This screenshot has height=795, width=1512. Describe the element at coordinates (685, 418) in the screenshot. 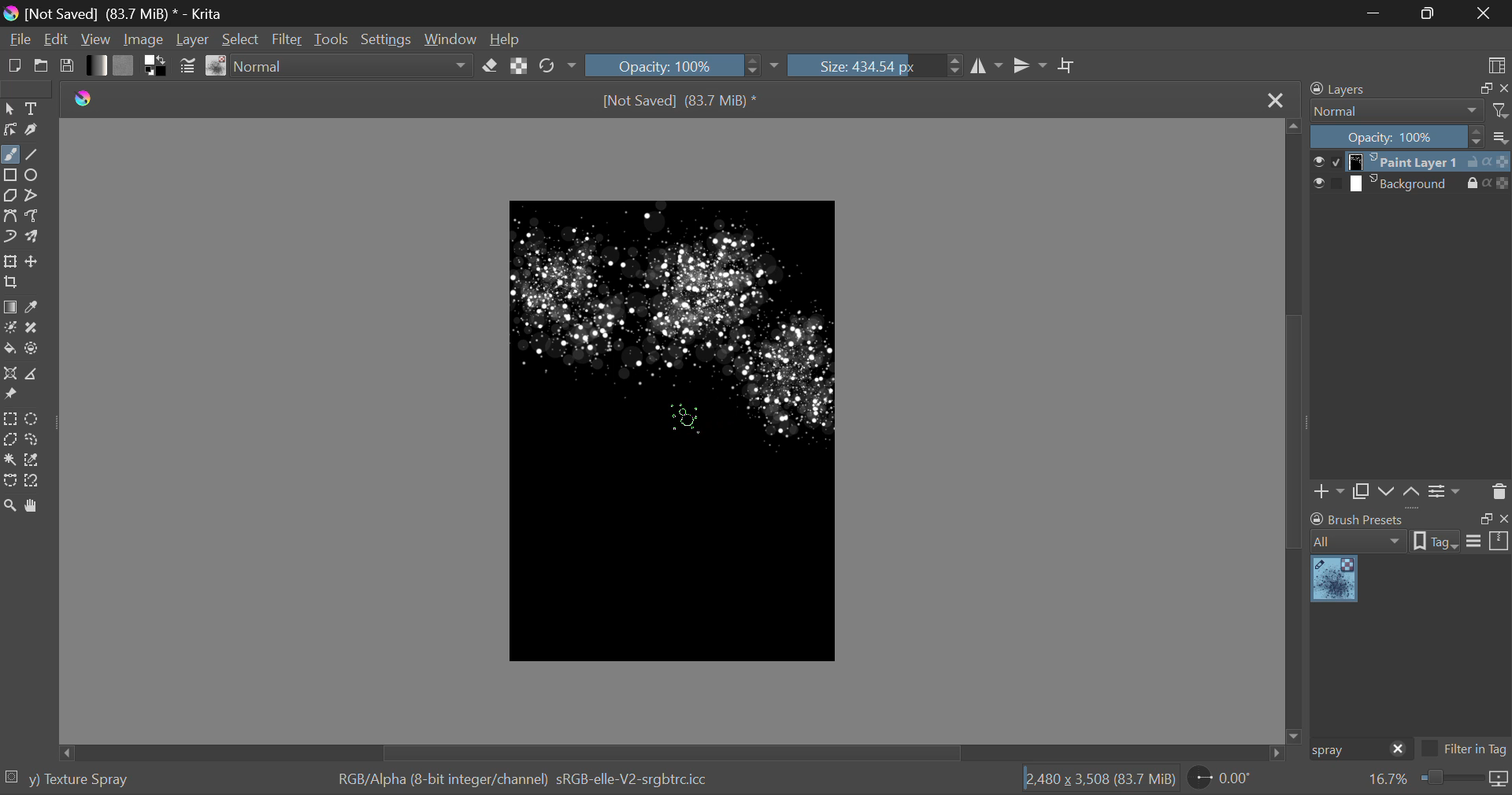

I see `Click Cursor Position` at that location.